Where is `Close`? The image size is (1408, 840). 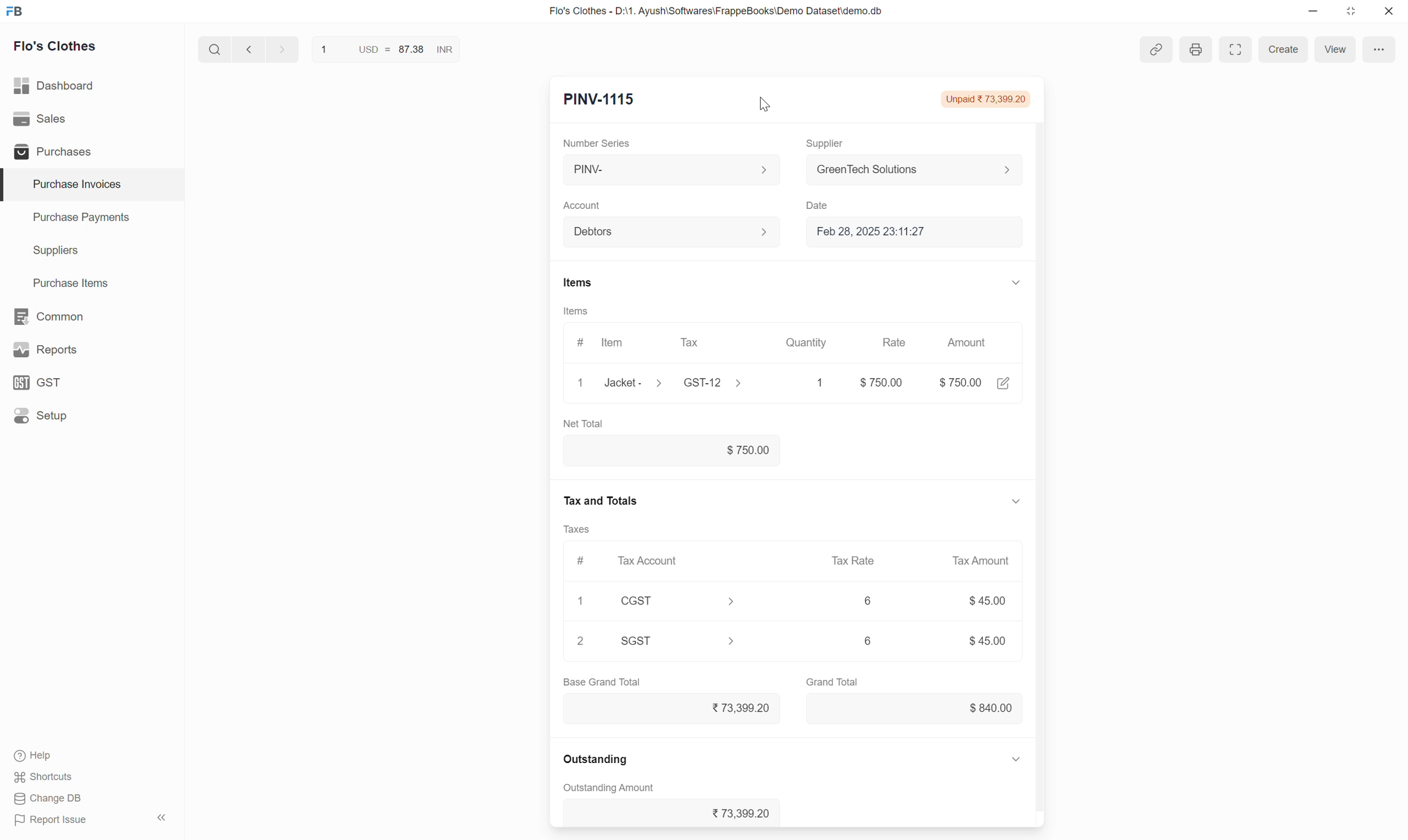 Close is located at coordinates (581, 383).